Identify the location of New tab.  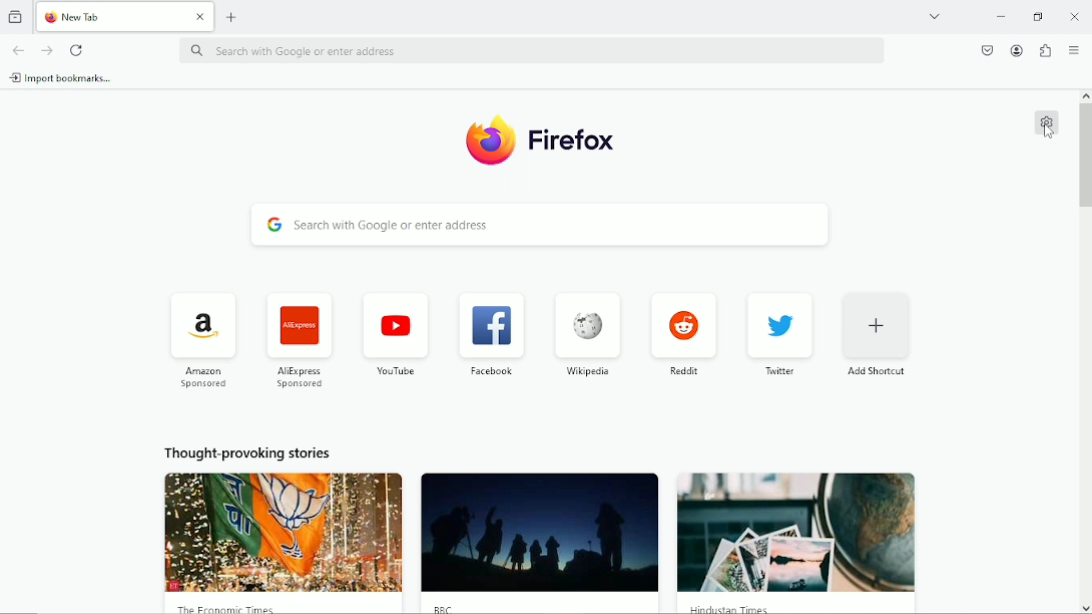
(233, 17).